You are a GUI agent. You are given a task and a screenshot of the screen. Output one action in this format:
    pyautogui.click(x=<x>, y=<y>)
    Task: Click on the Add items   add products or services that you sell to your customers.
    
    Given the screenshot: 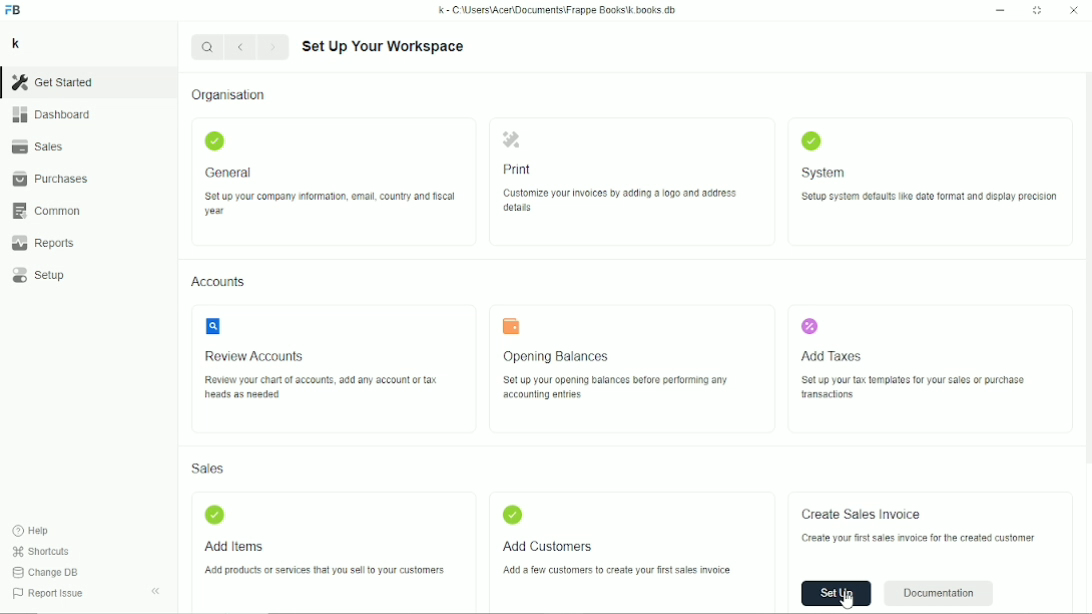 What is the action you would take?
    pyautogui.click(x=321, y=543)
    